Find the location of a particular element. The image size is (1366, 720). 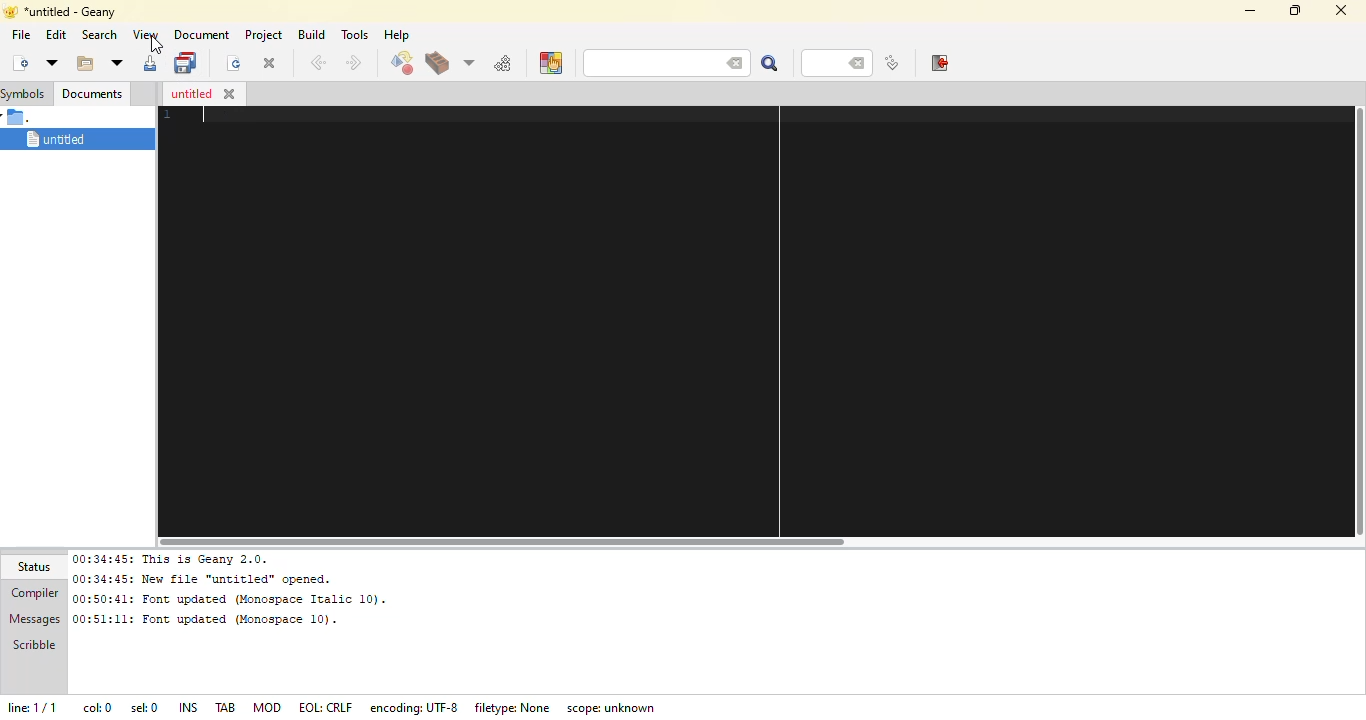

color is located at coordinates (550, 63).